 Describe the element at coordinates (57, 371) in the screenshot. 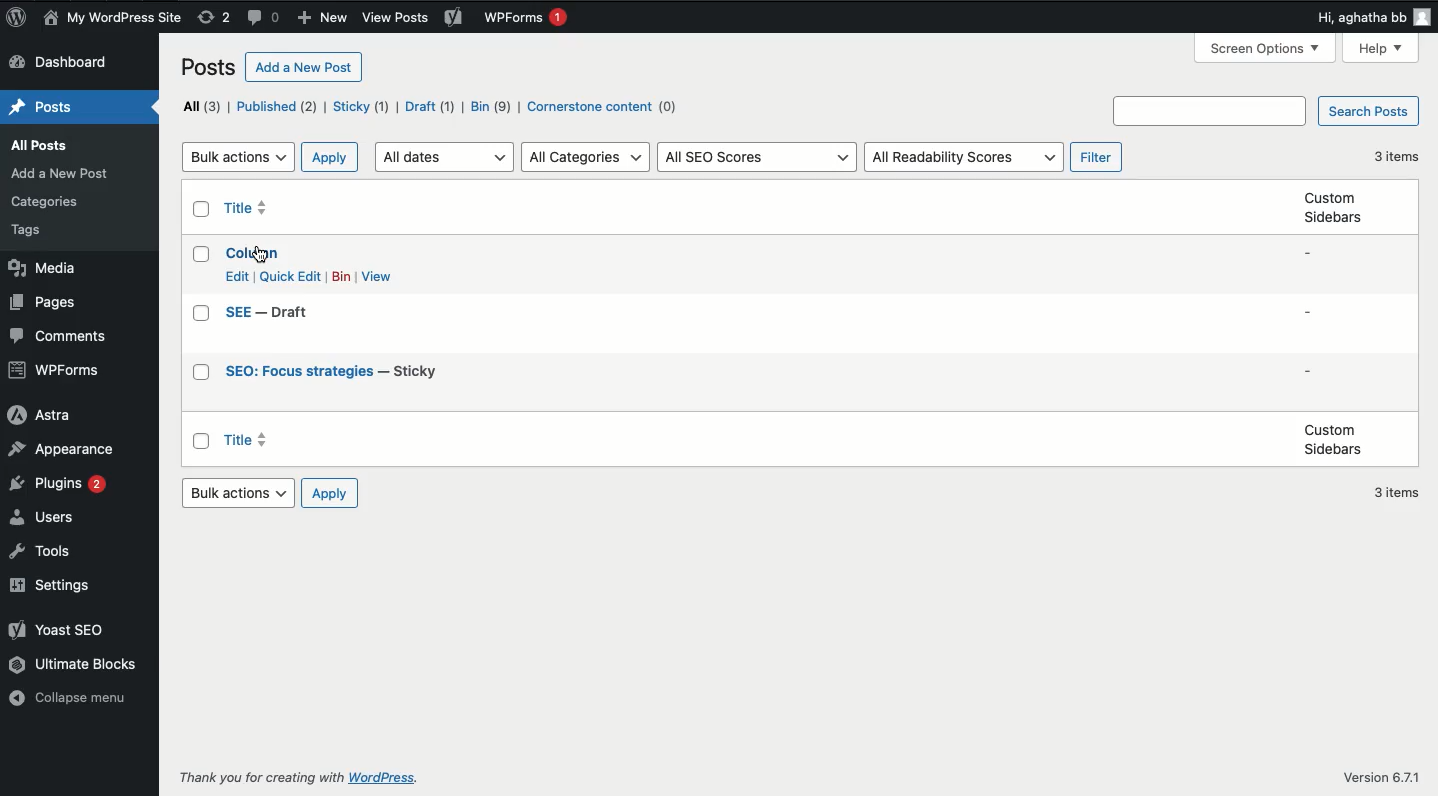

I see `WPForms` at that location.